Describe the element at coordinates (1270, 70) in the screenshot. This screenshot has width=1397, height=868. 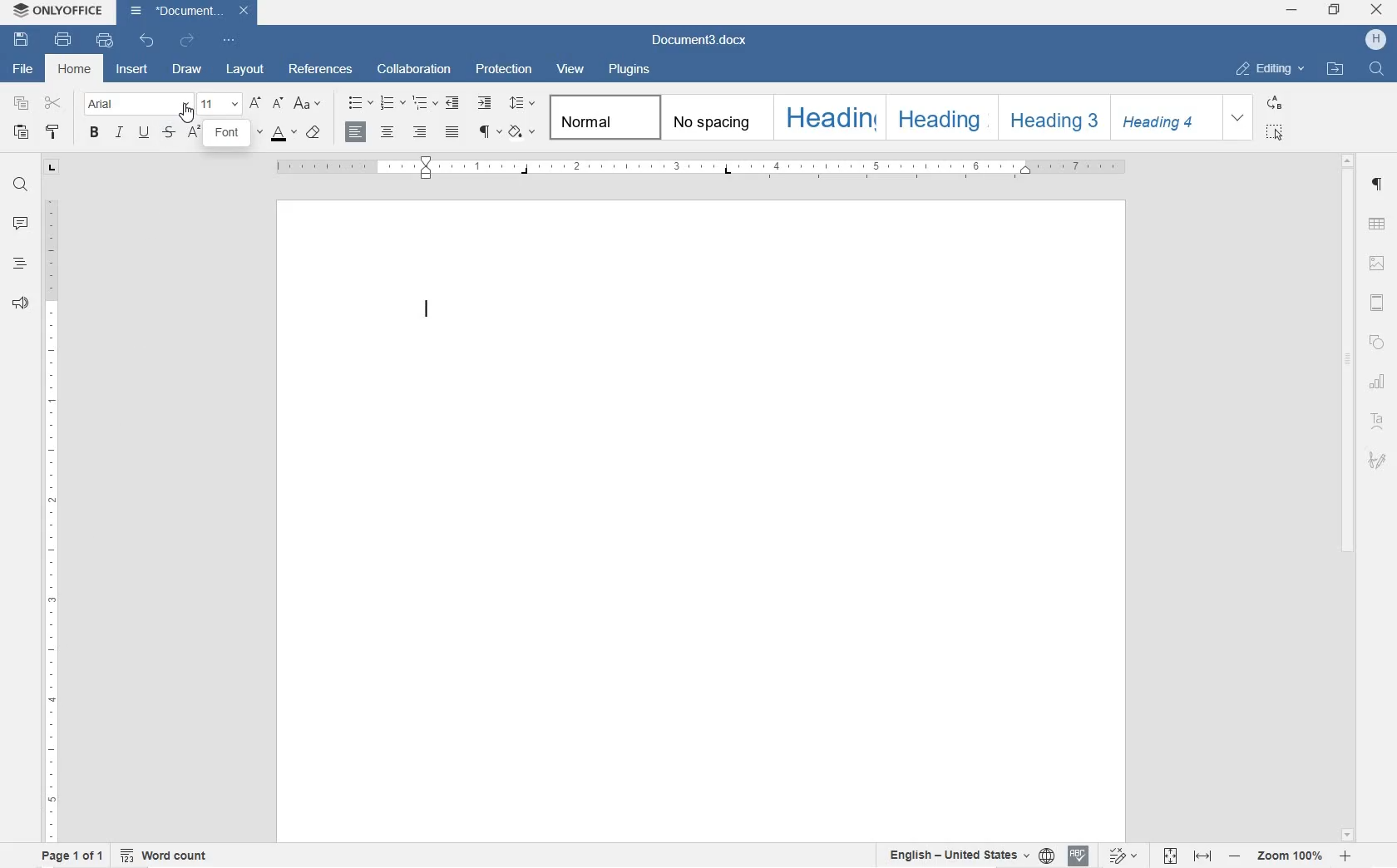
I see `EDITING` at that location.